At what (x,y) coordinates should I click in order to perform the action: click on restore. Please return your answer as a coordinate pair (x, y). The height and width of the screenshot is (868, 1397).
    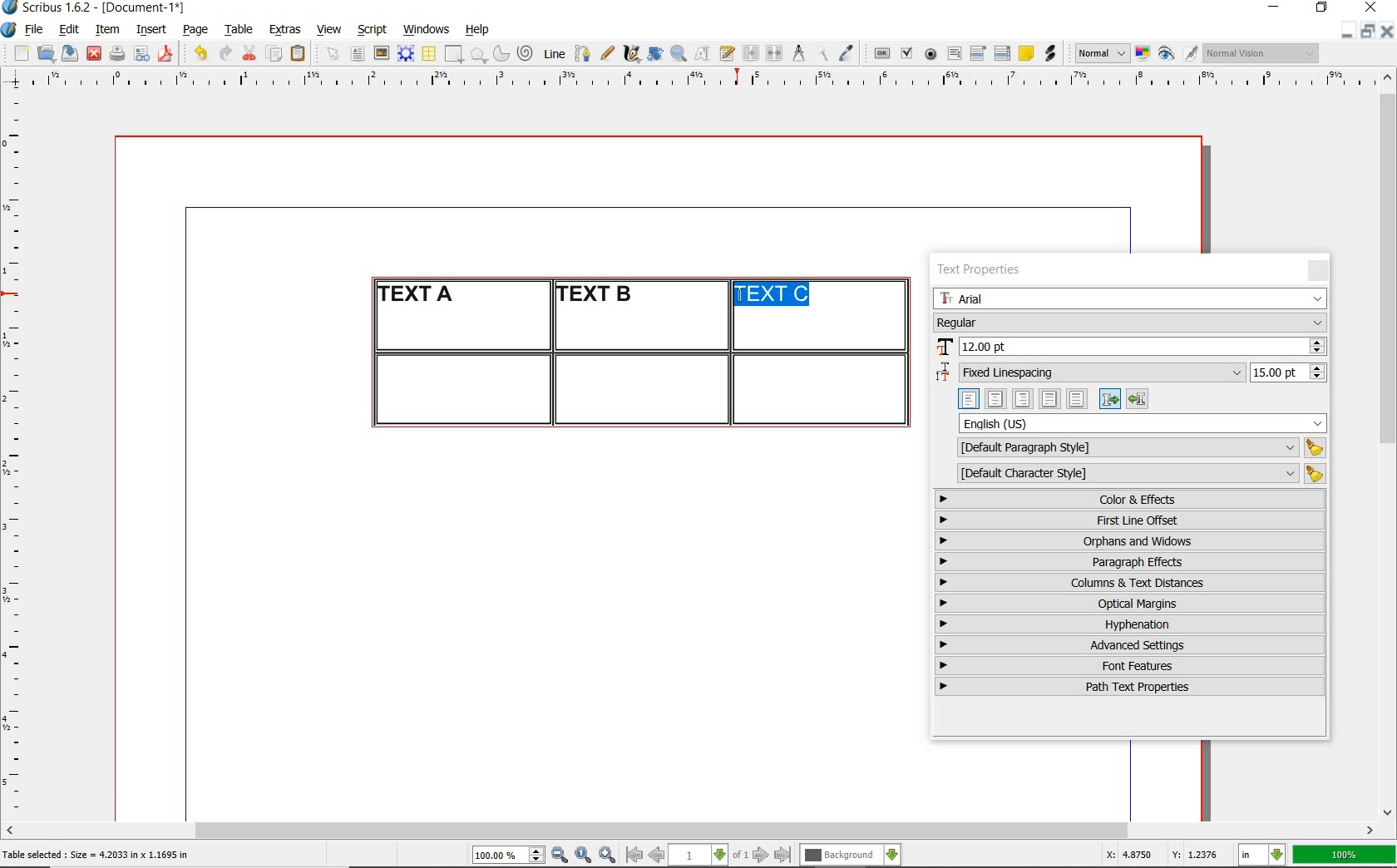
    Looking at the image, I should click on (1368, 30).